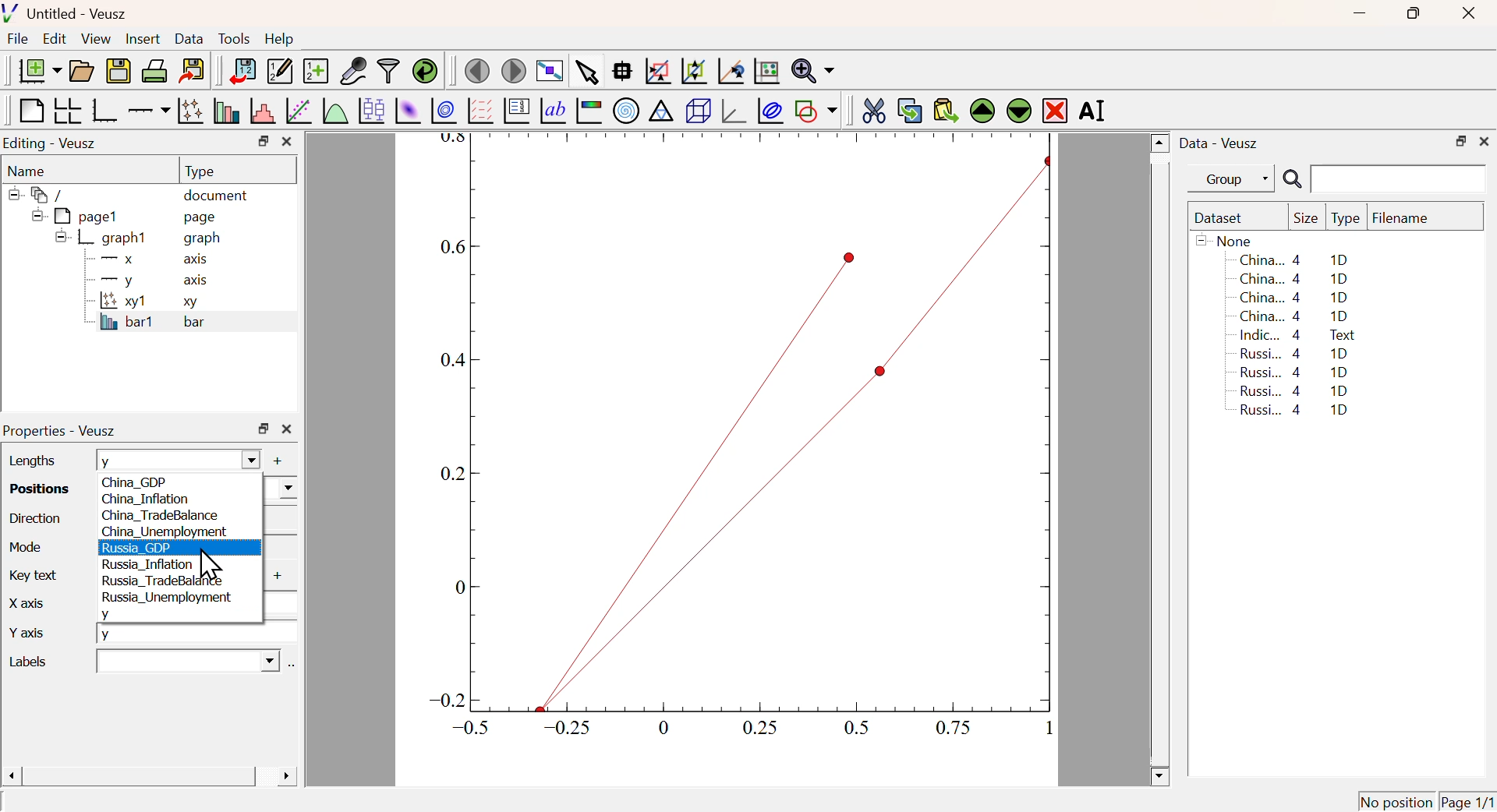 The height and width of the screenshot is (812, 1497). What do you see at coordinates (148, 112) in the screenshot?
I see `Add an axis to a plot` at bounding box center [148, 112].